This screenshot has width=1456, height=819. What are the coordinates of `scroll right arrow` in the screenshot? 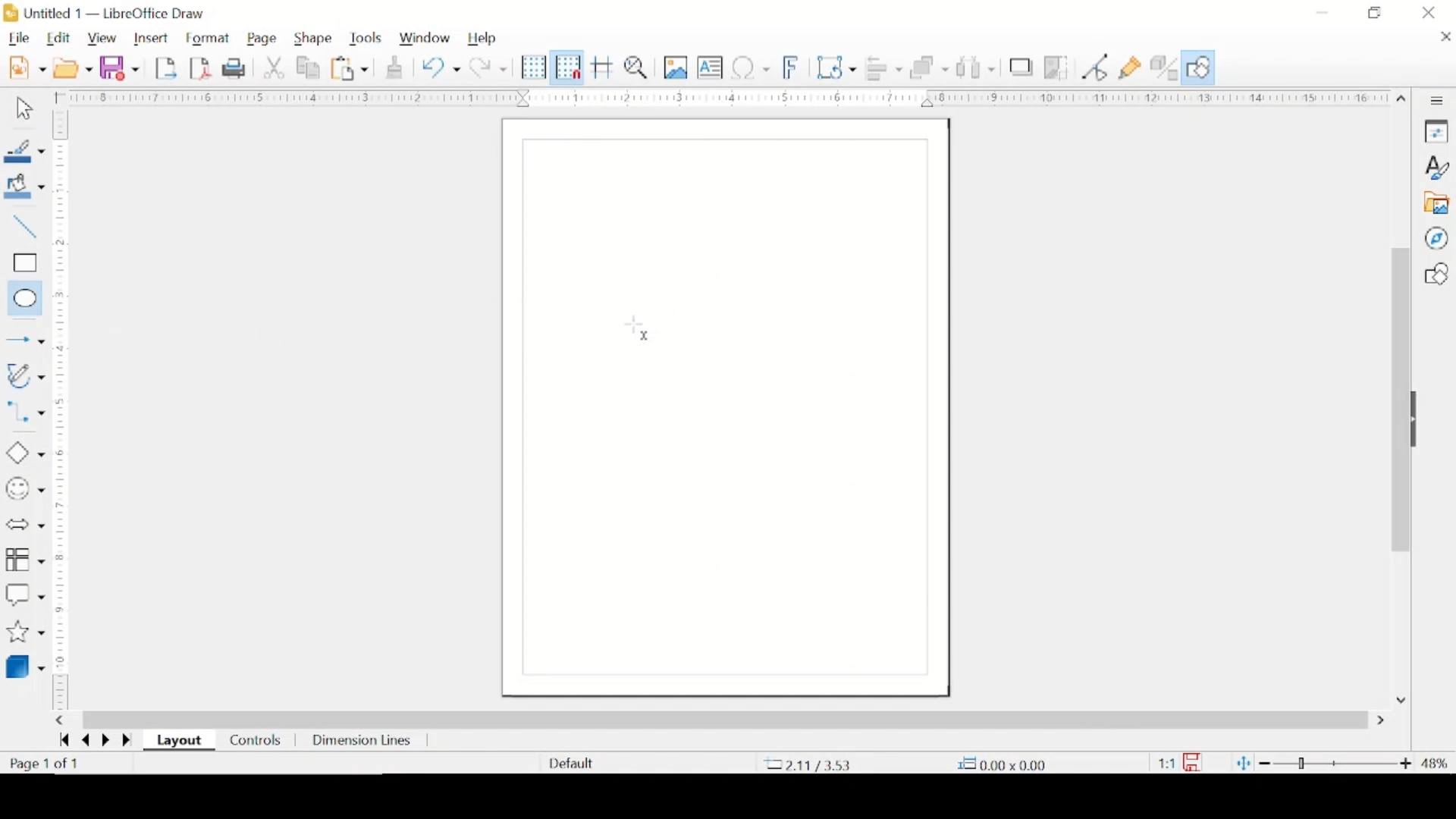 It's located at (1381, 720).